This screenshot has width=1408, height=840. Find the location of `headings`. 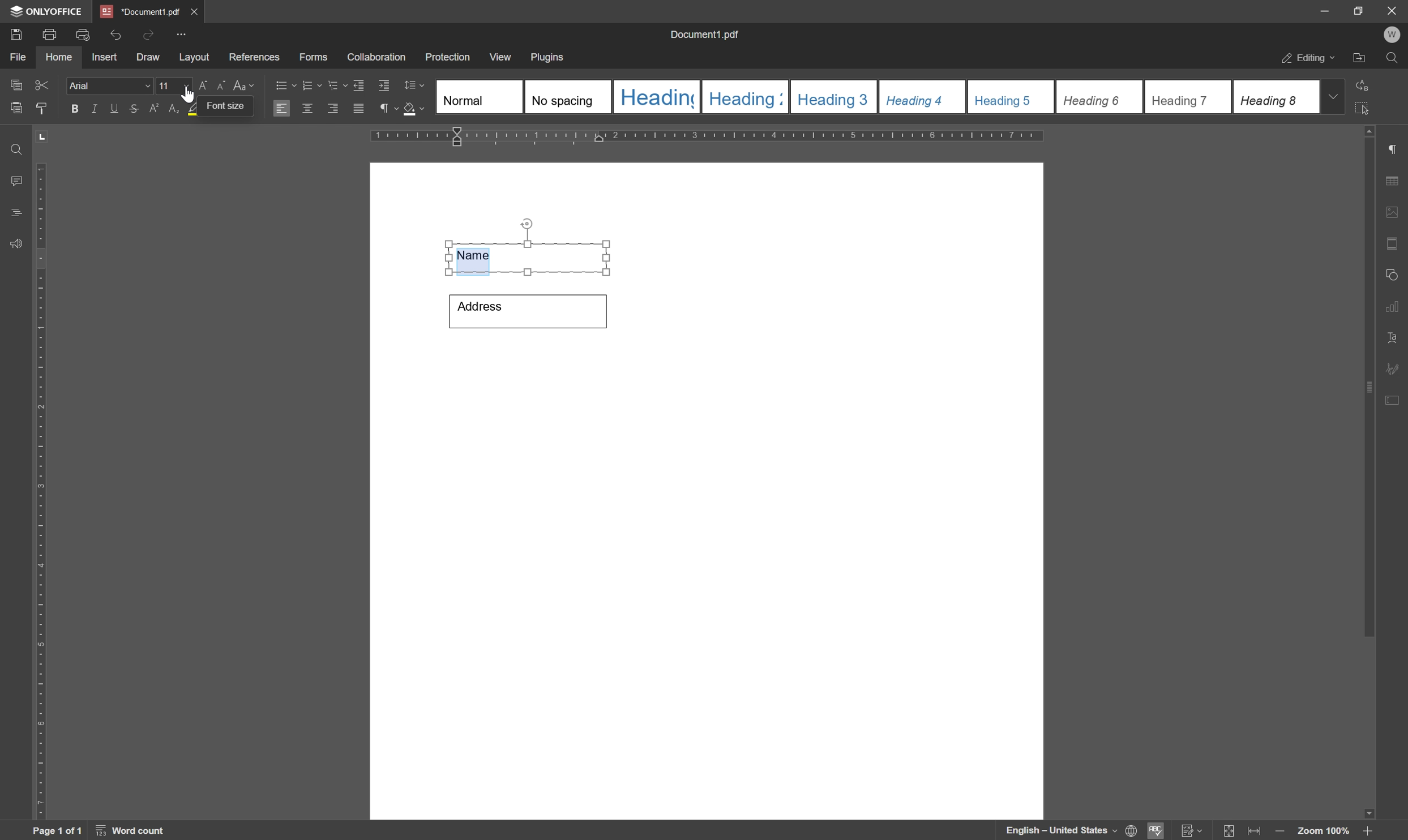

headings is located at coordinates (12, 213).